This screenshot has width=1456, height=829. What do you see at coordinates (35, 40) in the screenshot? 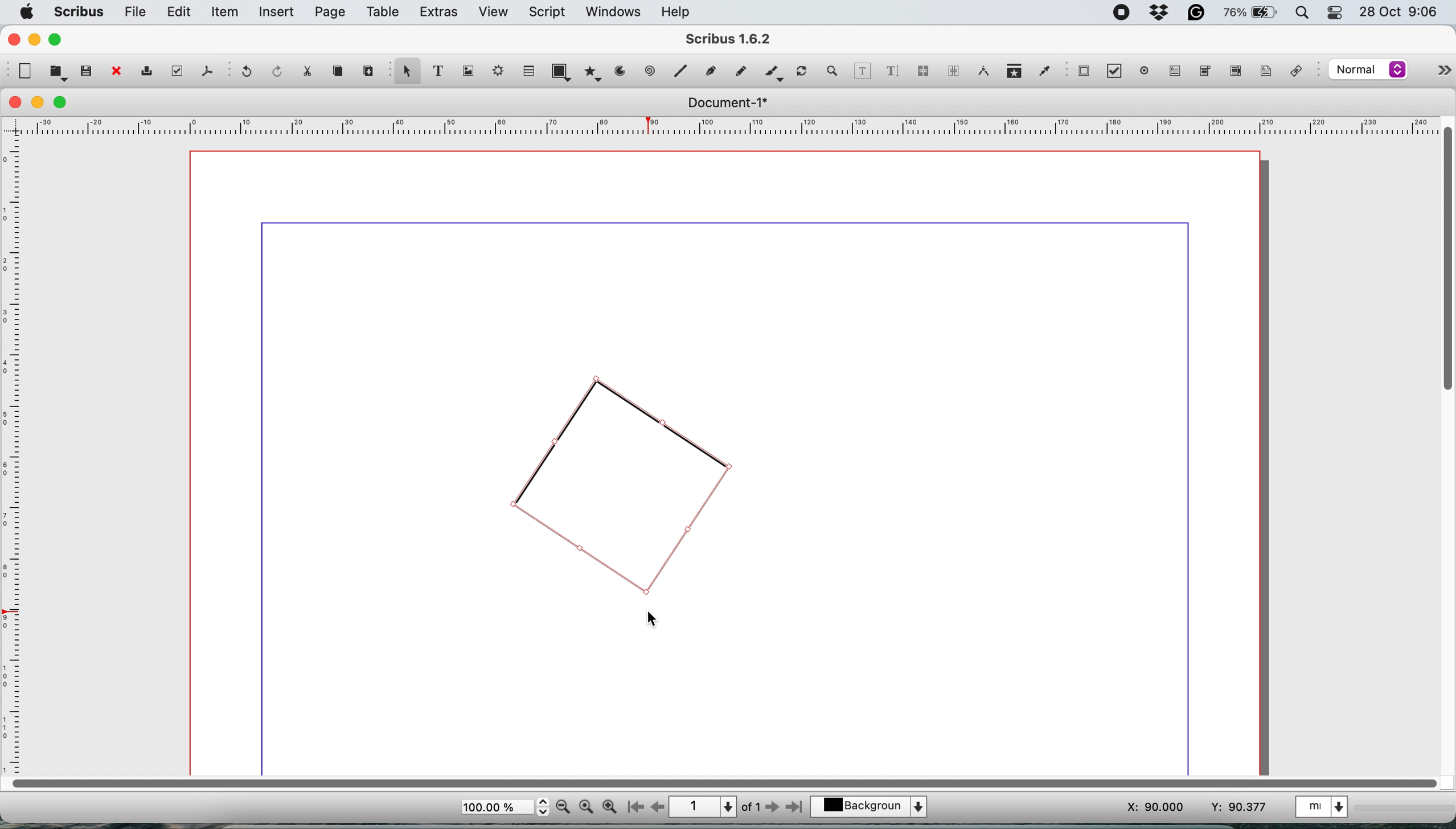
I see `minimise` at bounding box center [35, 40].